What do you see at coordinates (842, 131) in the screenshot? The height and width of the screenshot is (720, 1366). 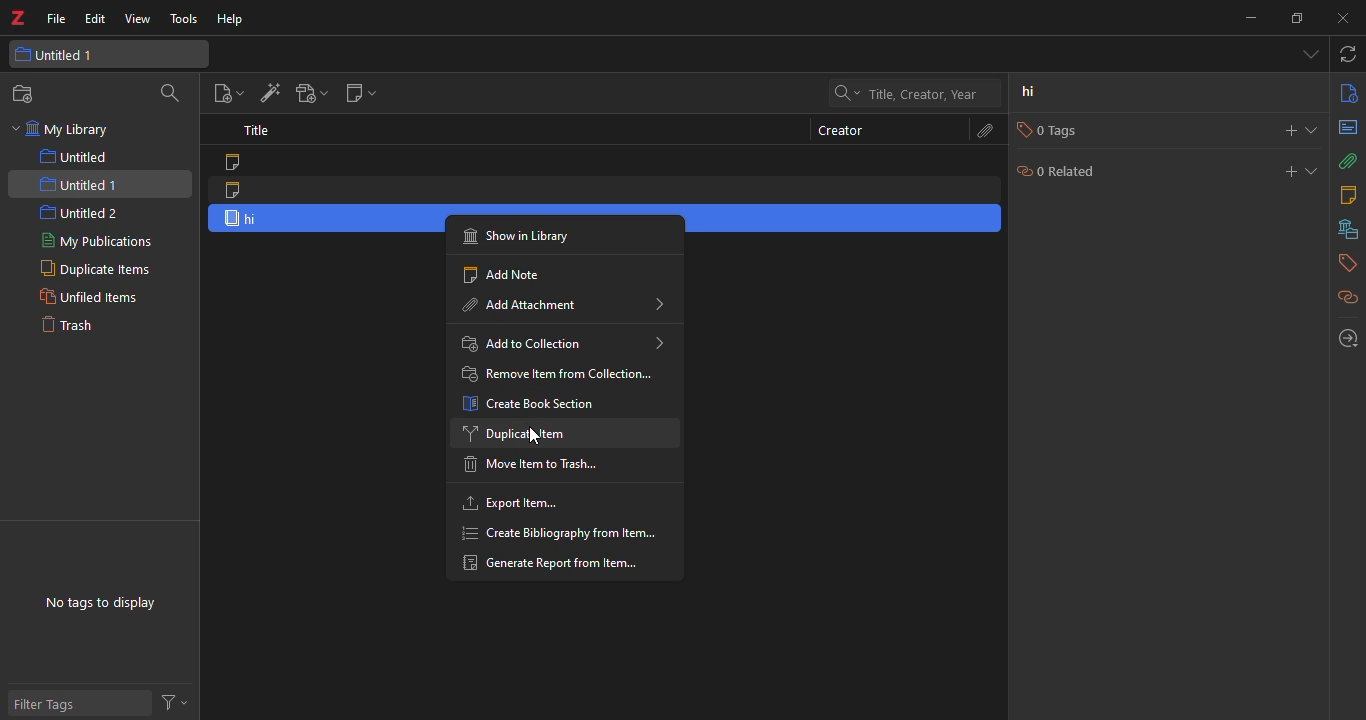 I see `creator` at bounding box center [842, 131].